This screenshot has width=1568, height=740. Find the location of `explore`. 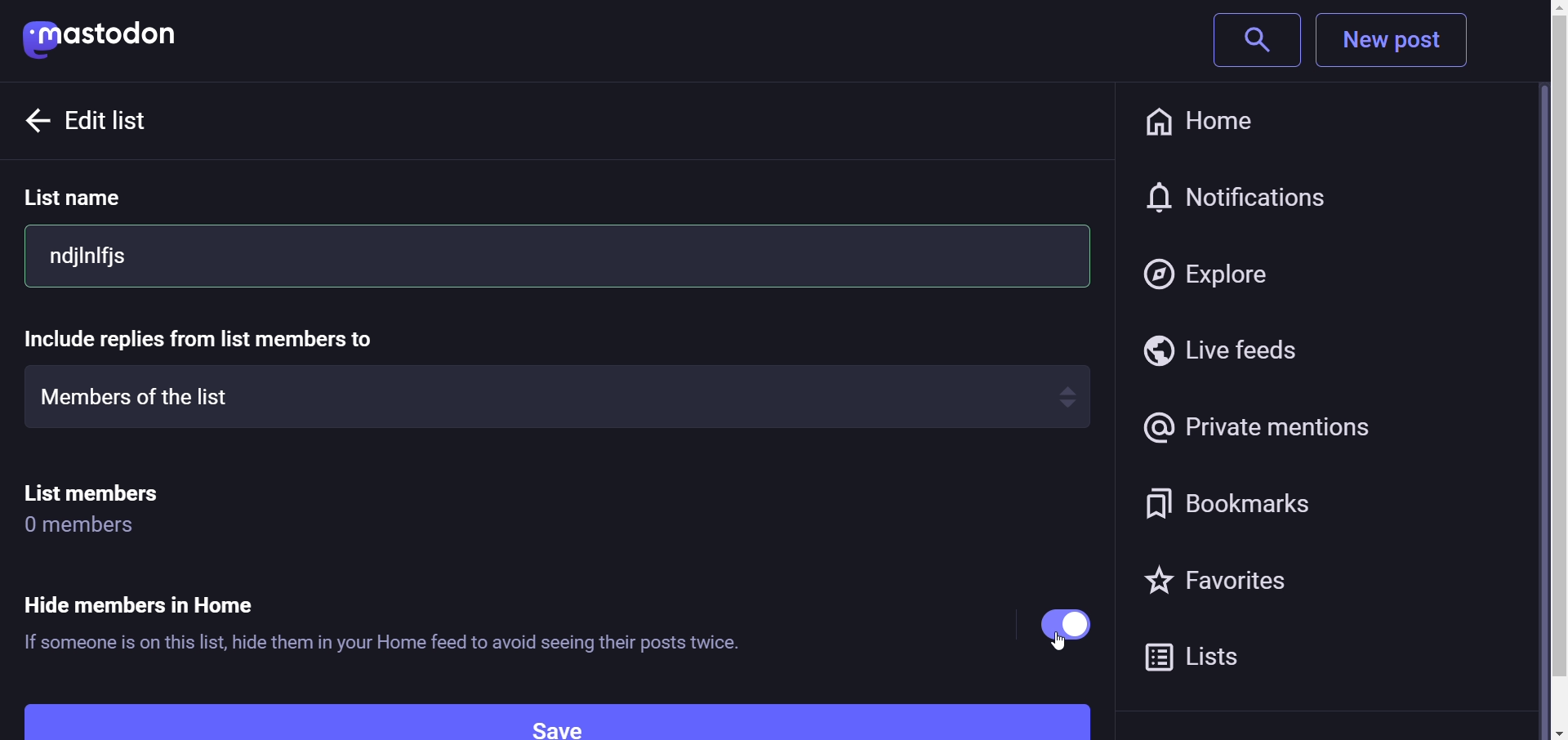

explore is located at coordinates (1211, 270).